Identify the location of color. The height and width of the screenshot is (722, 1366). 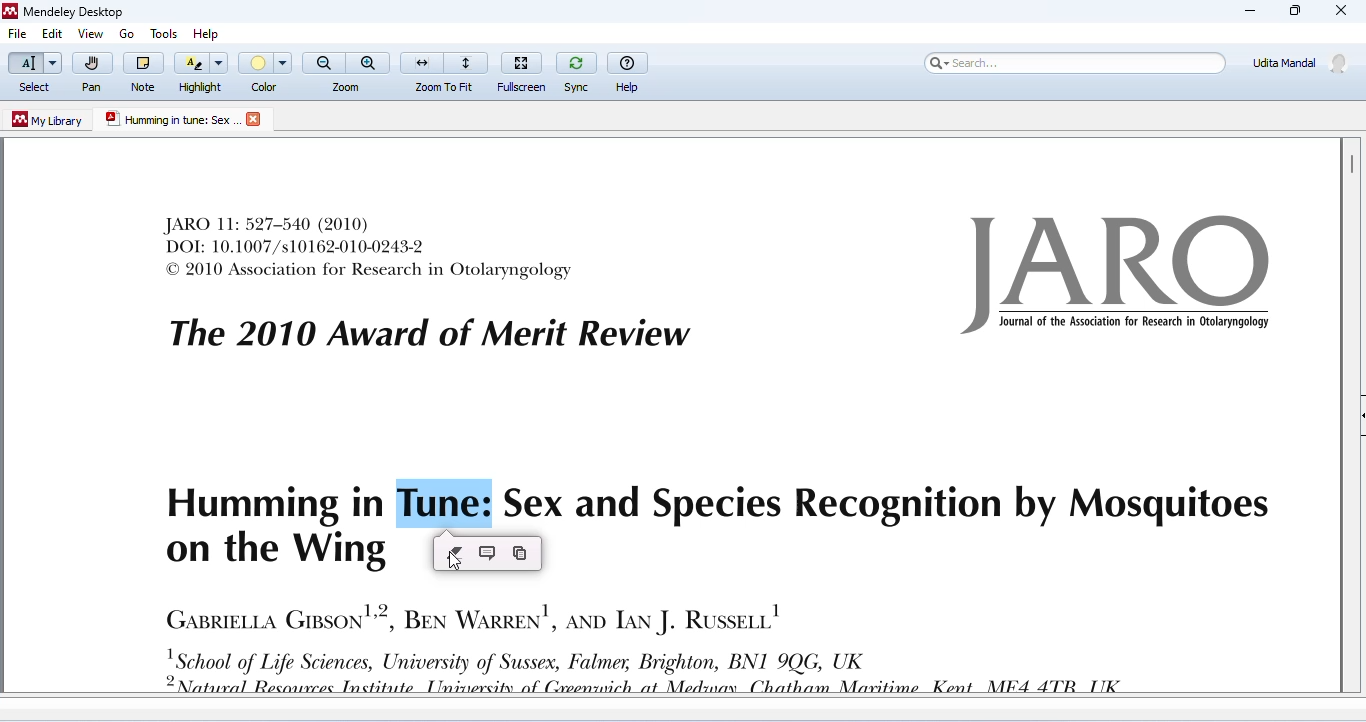
(267, 72).